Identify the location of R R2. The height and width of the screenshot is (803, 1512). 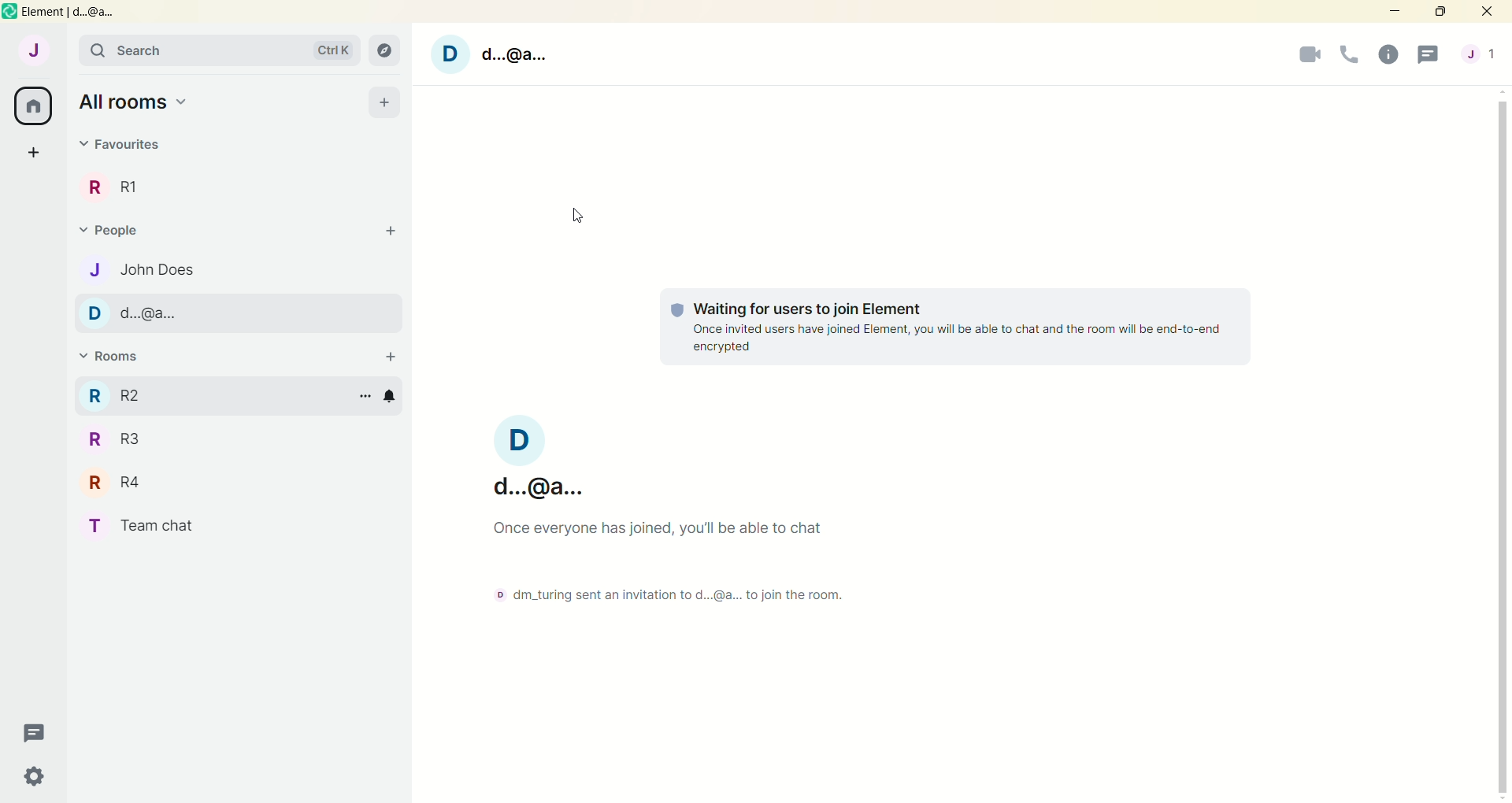
(118, 393).